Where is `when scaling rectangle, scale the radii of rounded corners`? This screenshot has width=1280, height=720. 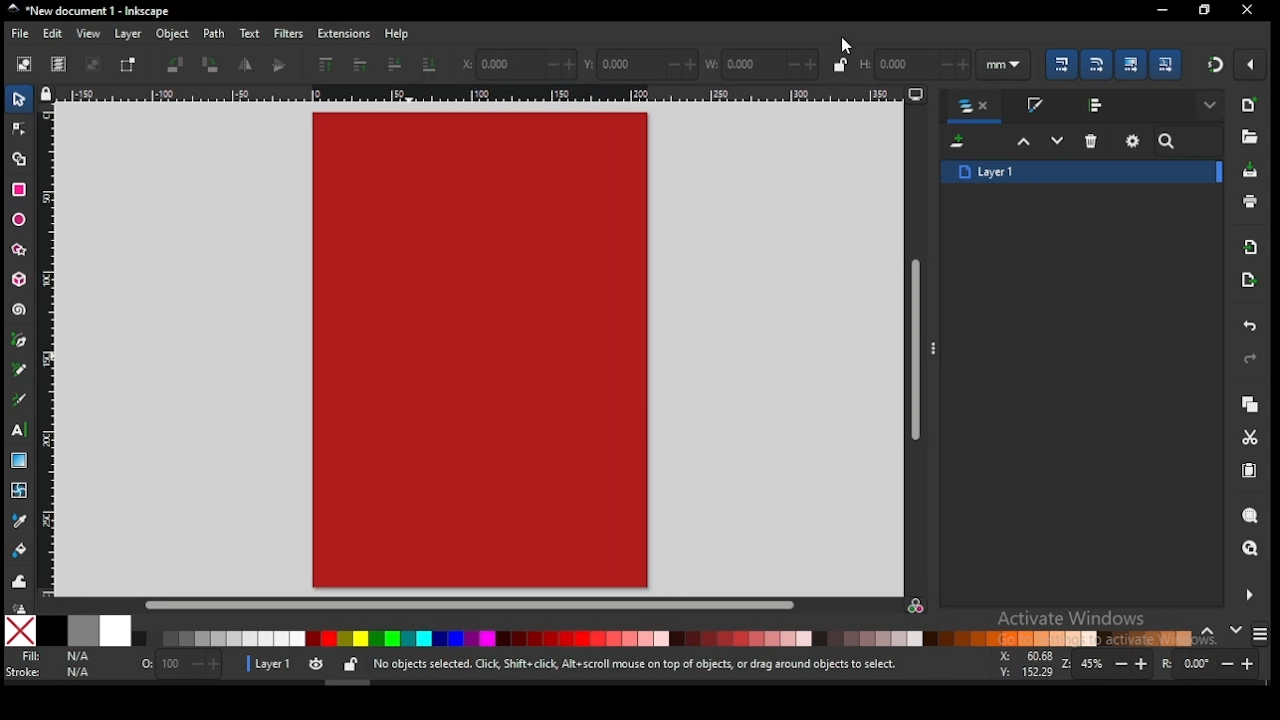 when scaling rectangle, scale the radii of rounded corners is located at coordinates (1095, 64).